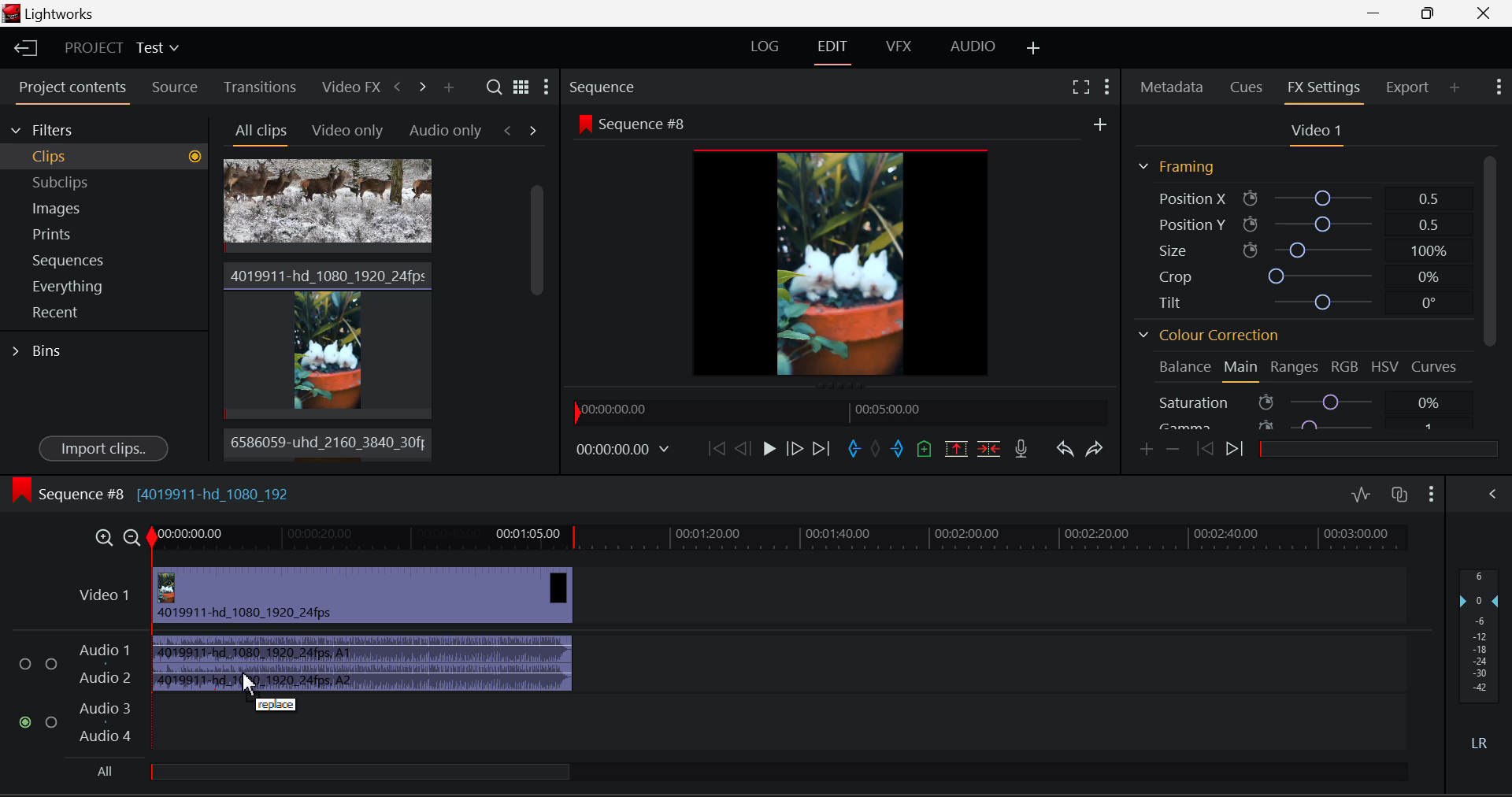  What do you see at coordinates (1097, 449) in the screenshot?
I see `Redo` at bounding box center [1097, 449].